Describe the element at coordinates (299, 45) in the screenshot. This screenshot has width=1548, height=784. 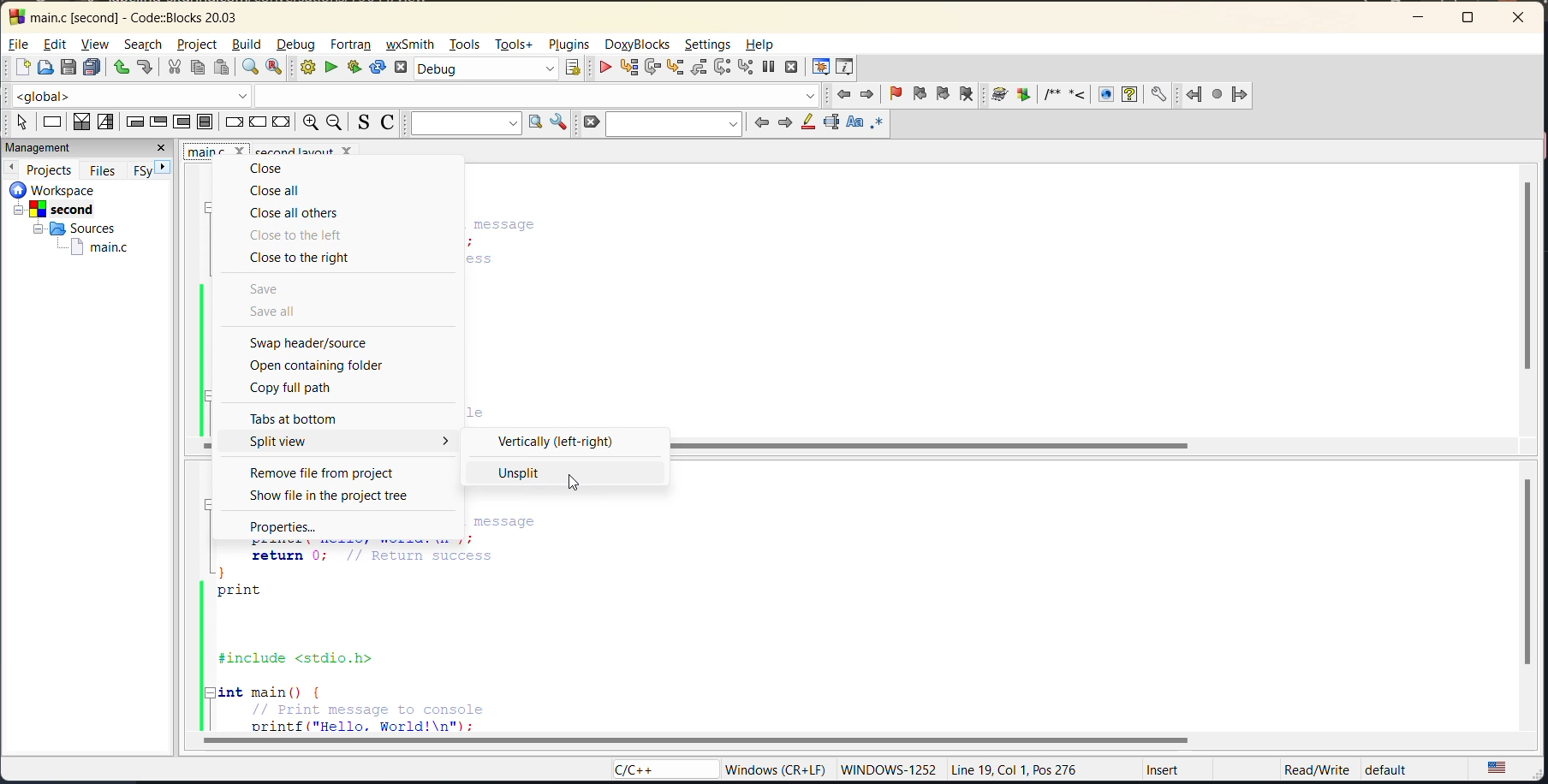
I see `debug` at that location.